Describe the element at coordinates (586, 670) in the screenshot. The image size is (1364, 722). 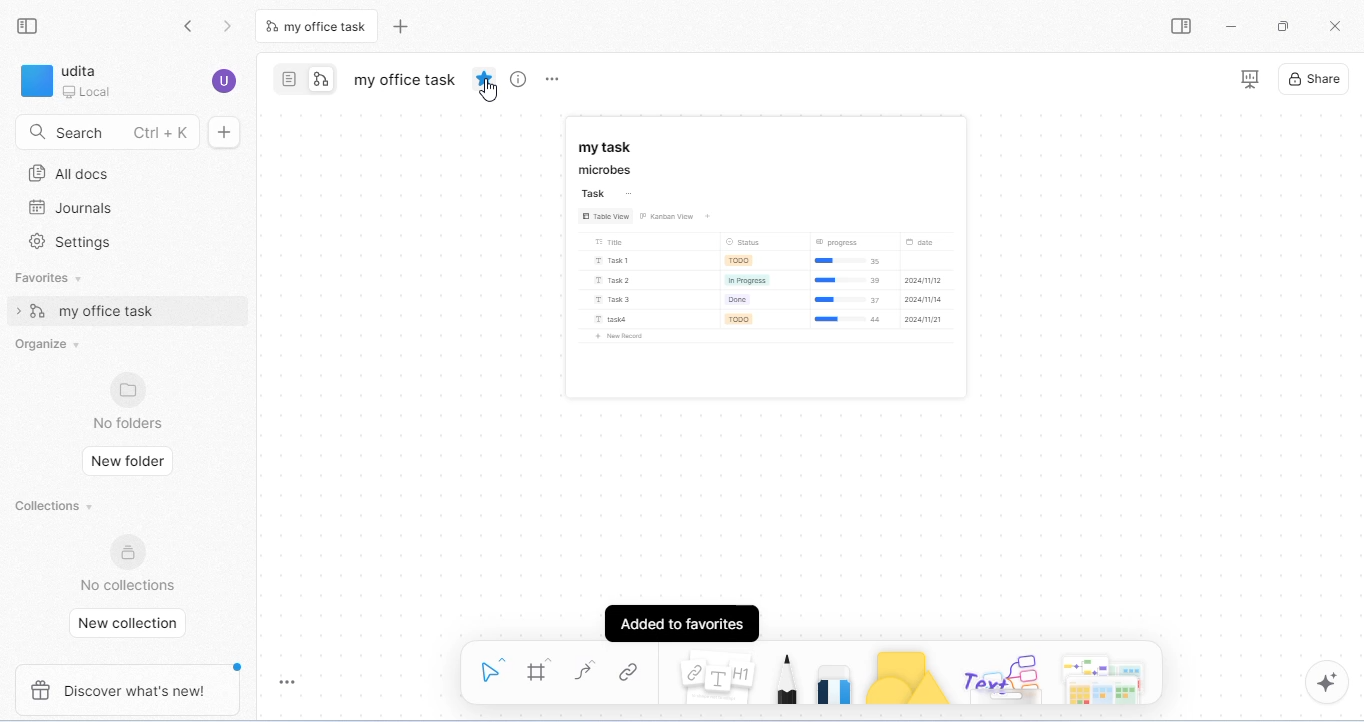
I see `curve` at that location.